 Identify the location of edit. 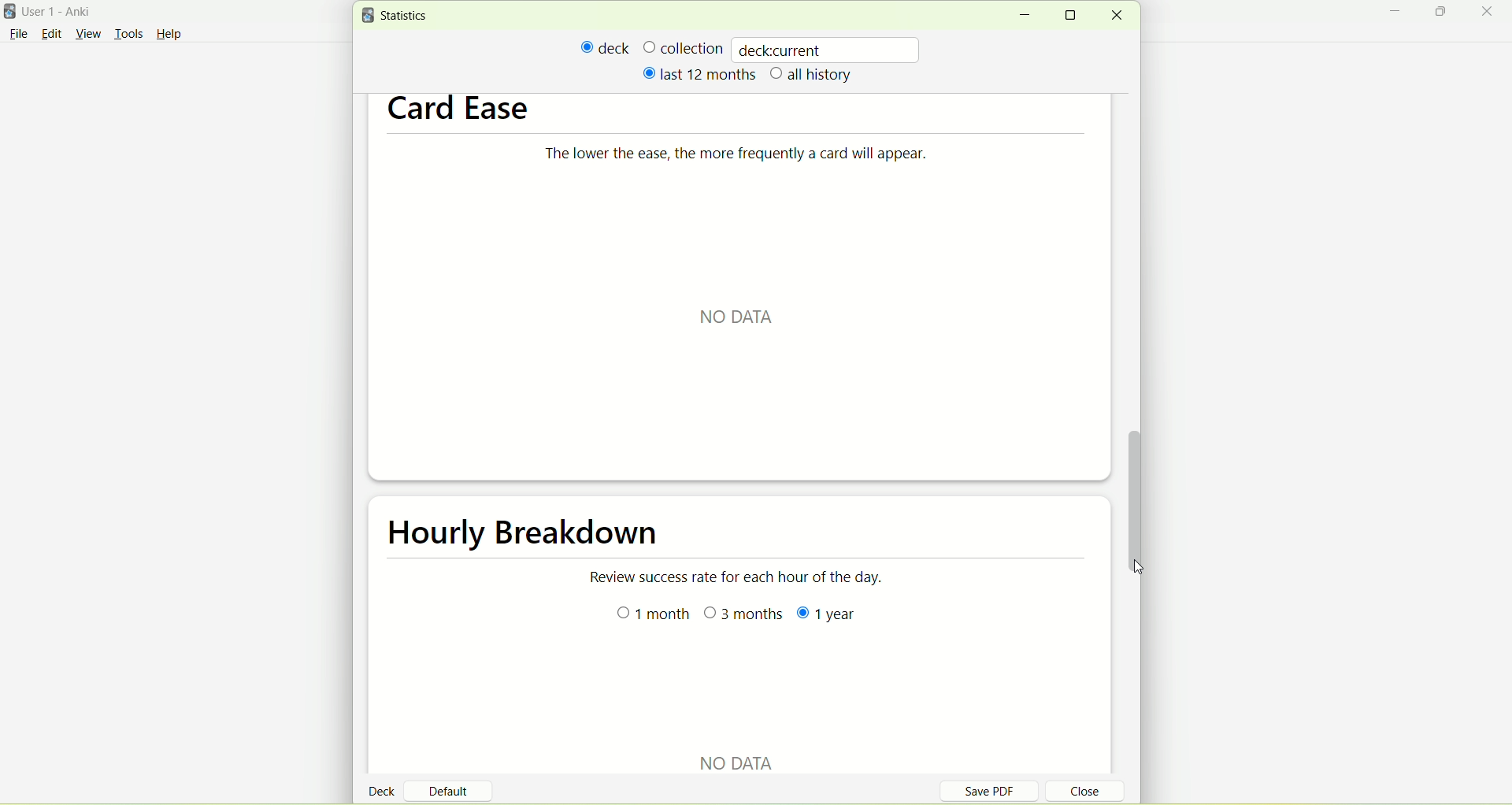
(51, 33).